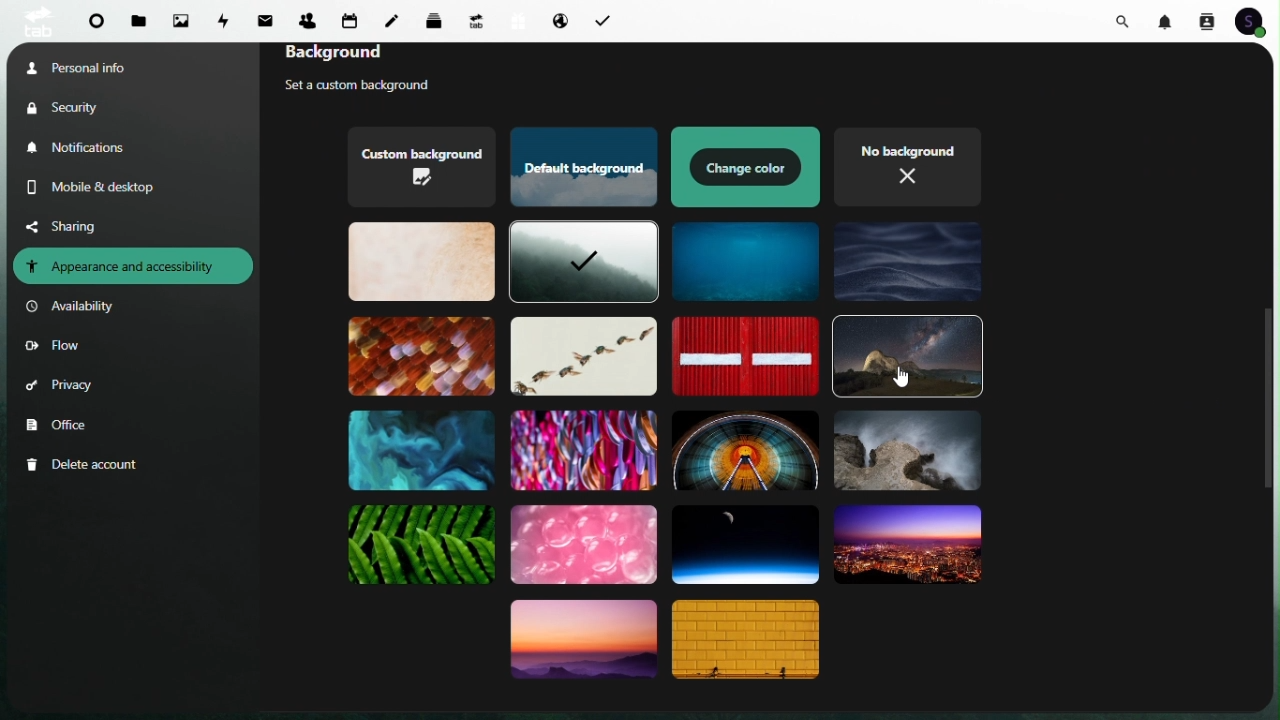 The height and width of the screenshot is (720, 1280). I want to click on Notifications, so click(1168, 20).